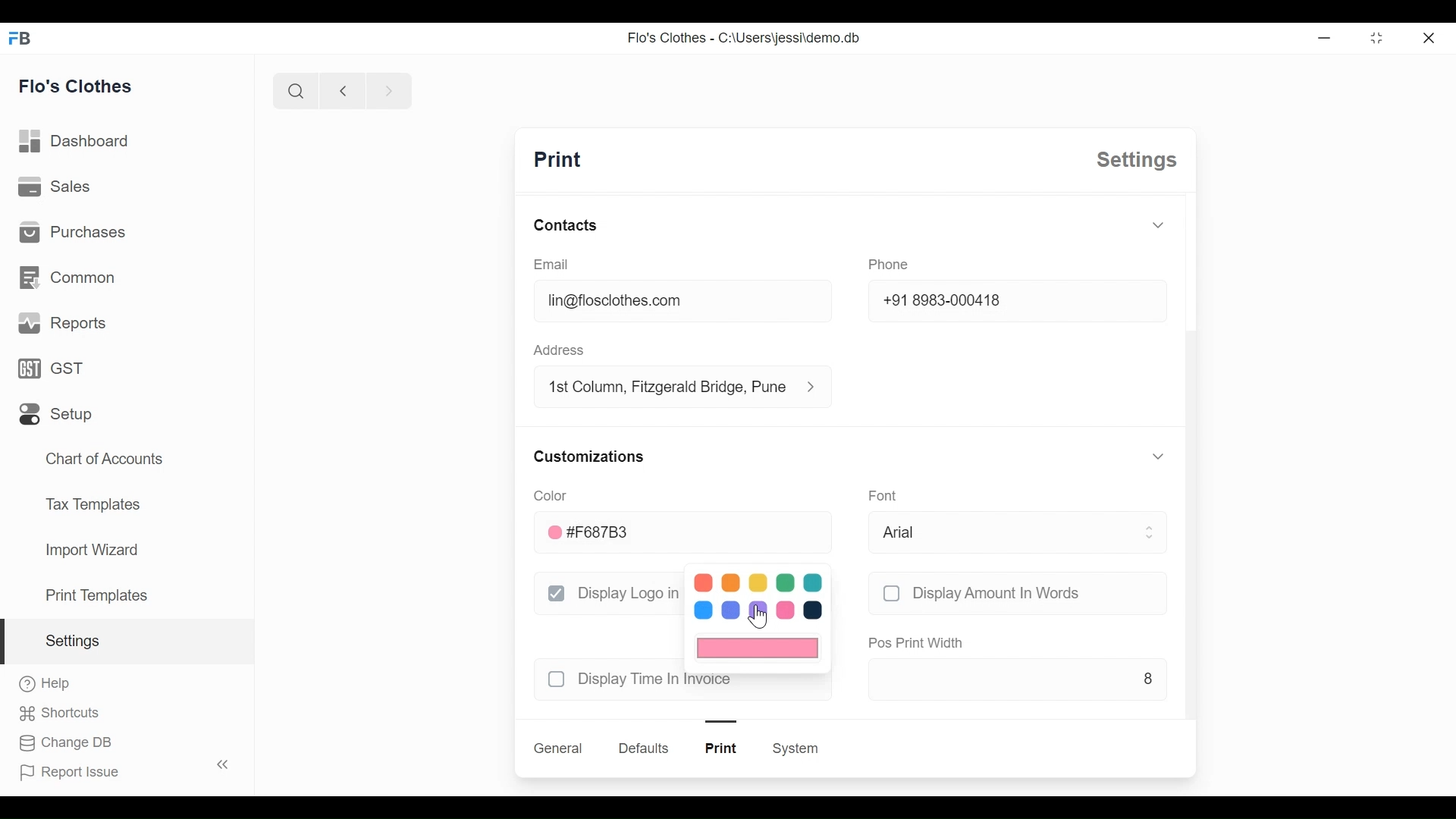 This screenshot has height=819, width=1456. Describe the element at coordinates (71, 641) in the screenshot. I see `settings` at that location.